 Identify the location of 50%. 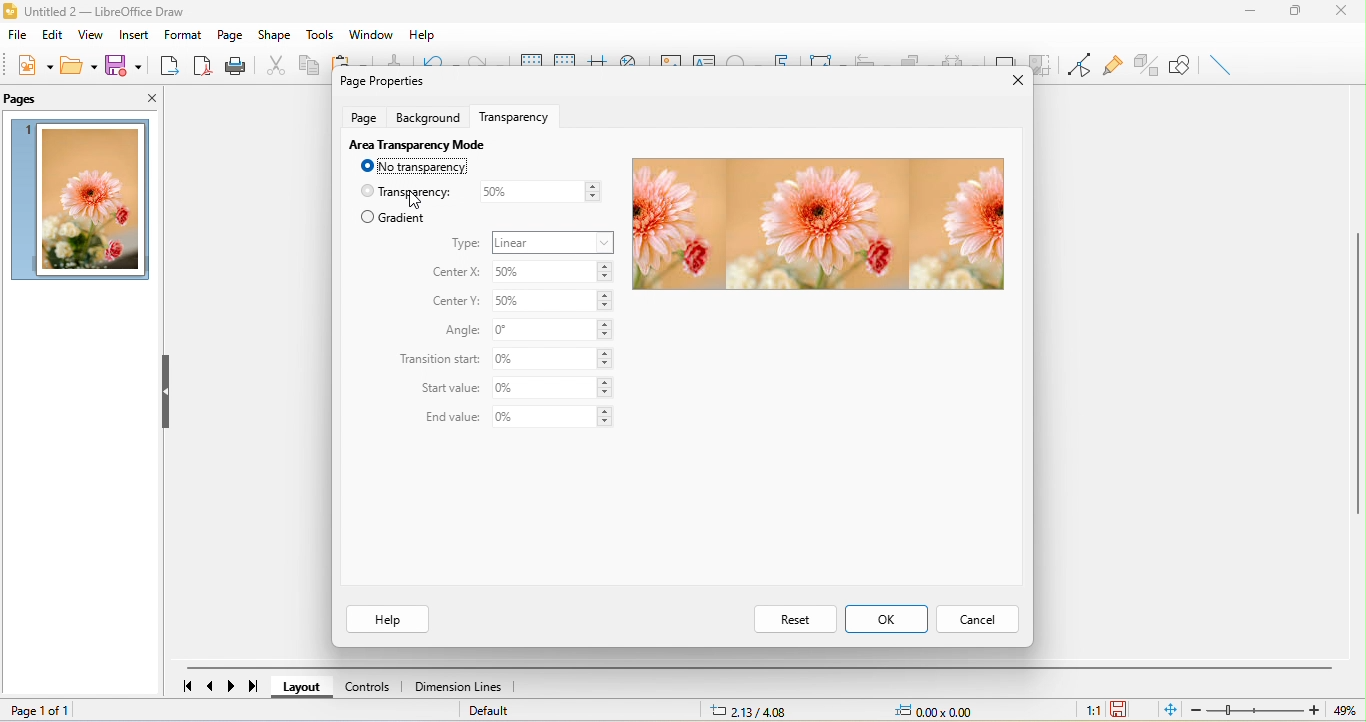
(540, 191).